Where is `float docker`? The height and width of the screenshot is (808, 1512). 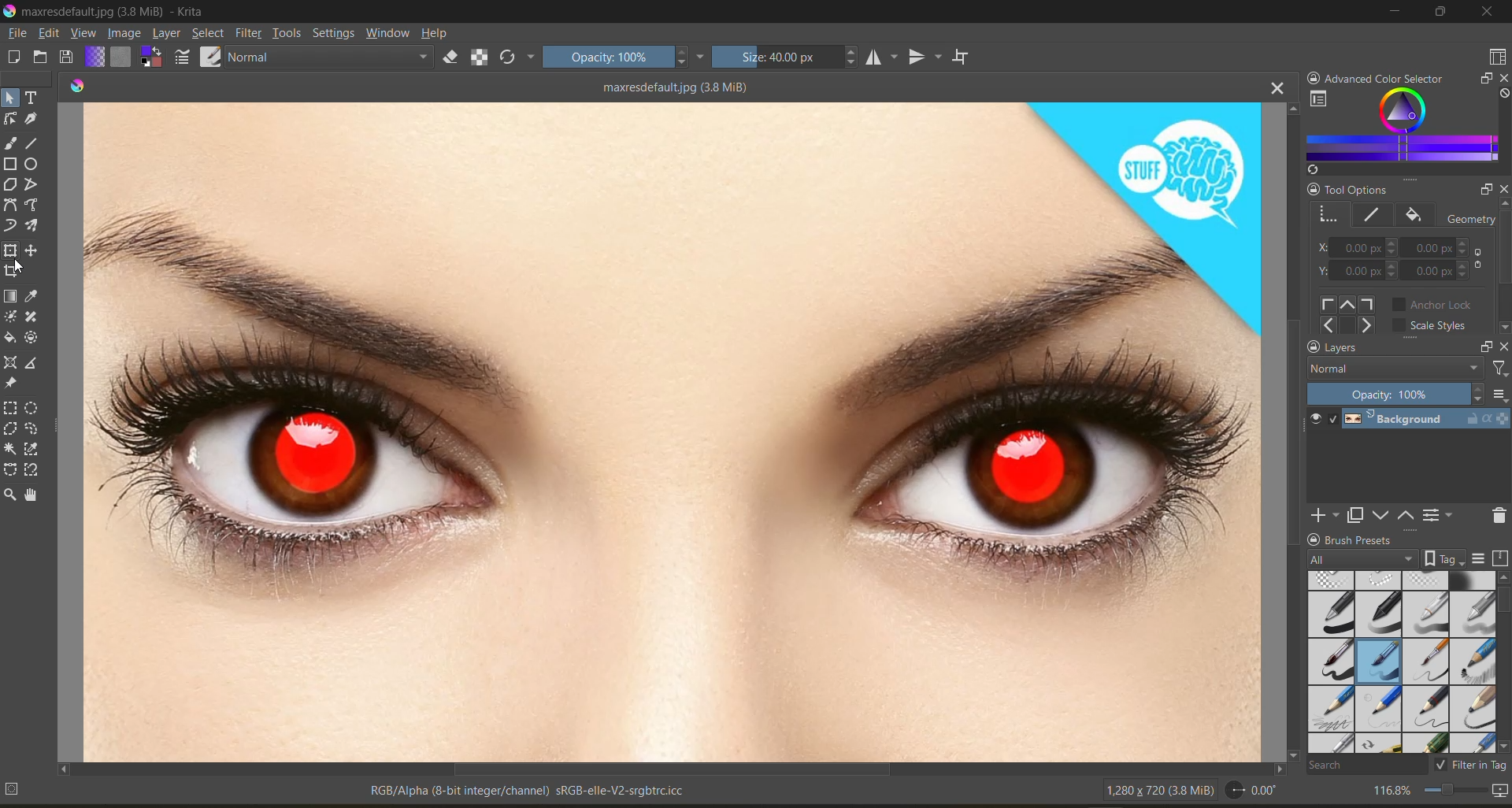
float docker is located at coordinates (1484, 80).